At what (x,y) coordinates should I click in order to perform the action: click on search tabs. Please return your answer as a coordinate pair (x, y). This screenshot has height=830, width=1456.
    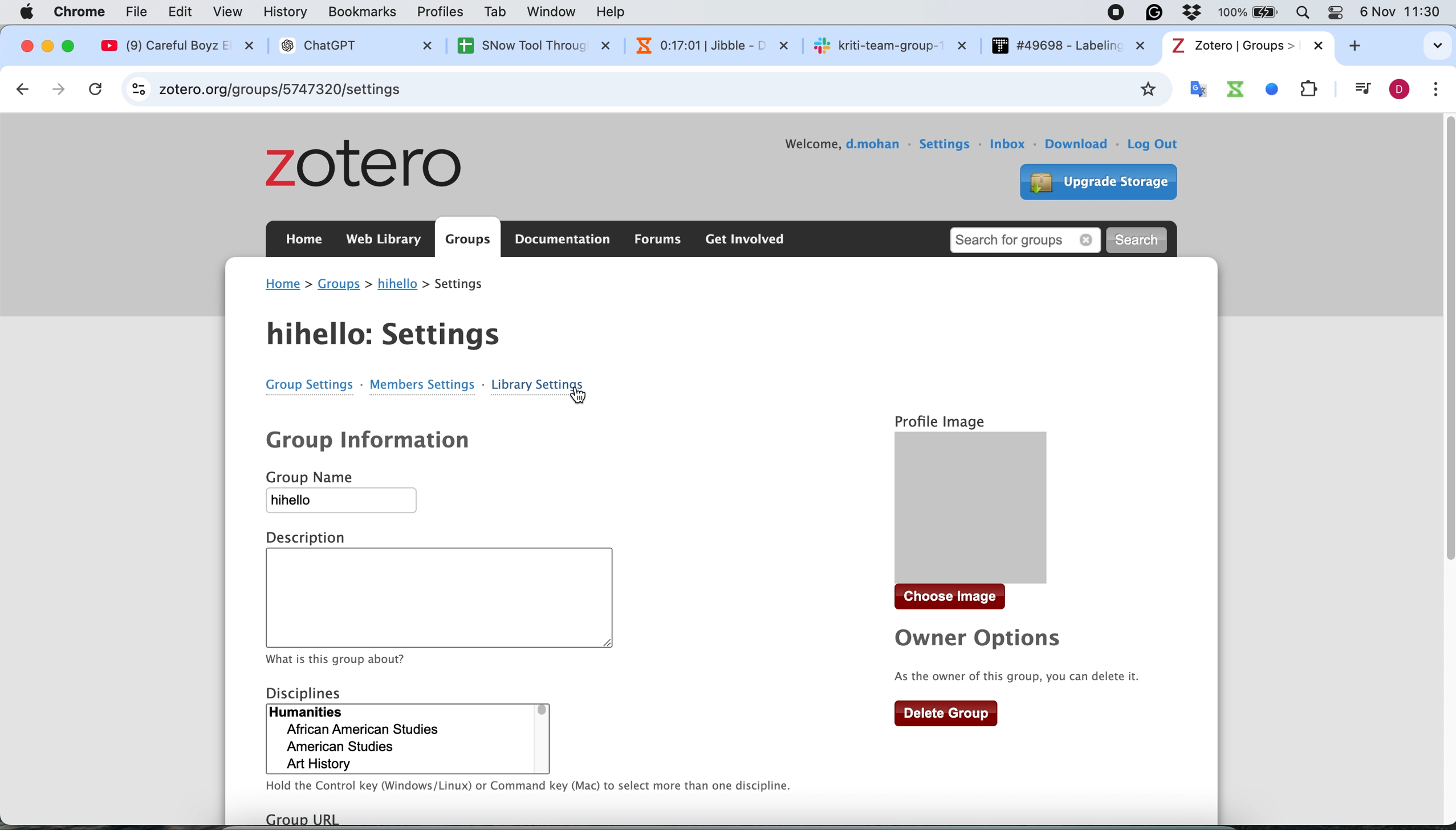
    Looking at the image, I should click on (1419, 41).